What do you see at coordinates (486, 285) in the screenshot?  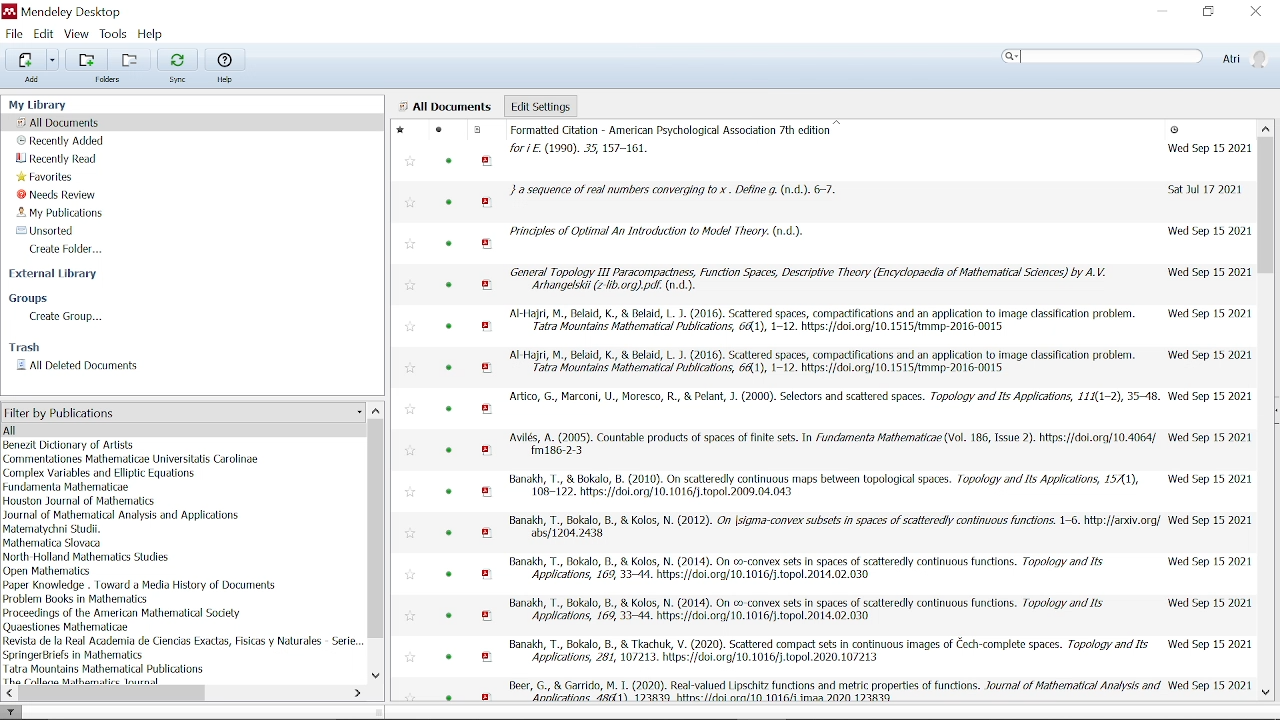 I see `pdf` at bounding box center [486, 285].